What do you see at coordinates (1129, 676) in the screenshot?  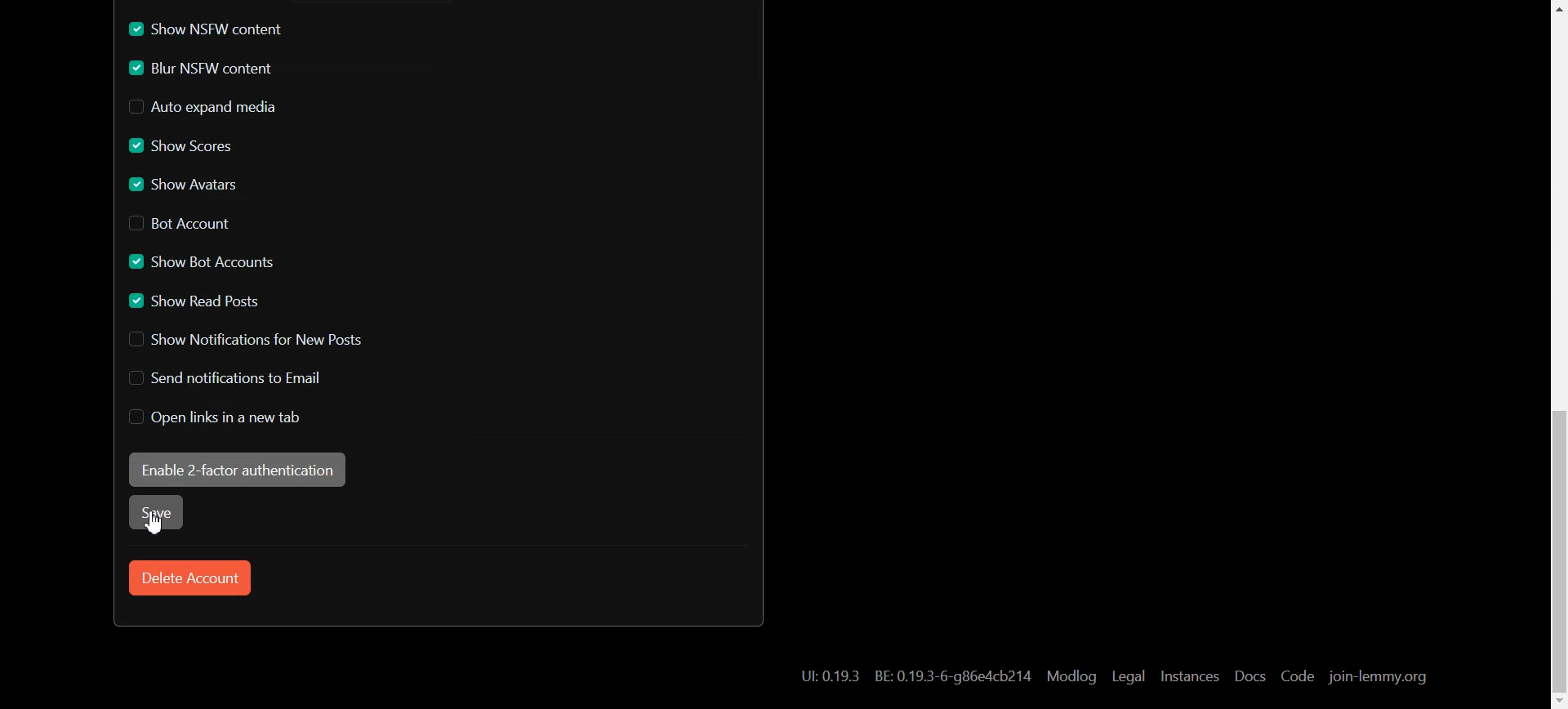 I see `Legal` at bounding box center [1129, 676].